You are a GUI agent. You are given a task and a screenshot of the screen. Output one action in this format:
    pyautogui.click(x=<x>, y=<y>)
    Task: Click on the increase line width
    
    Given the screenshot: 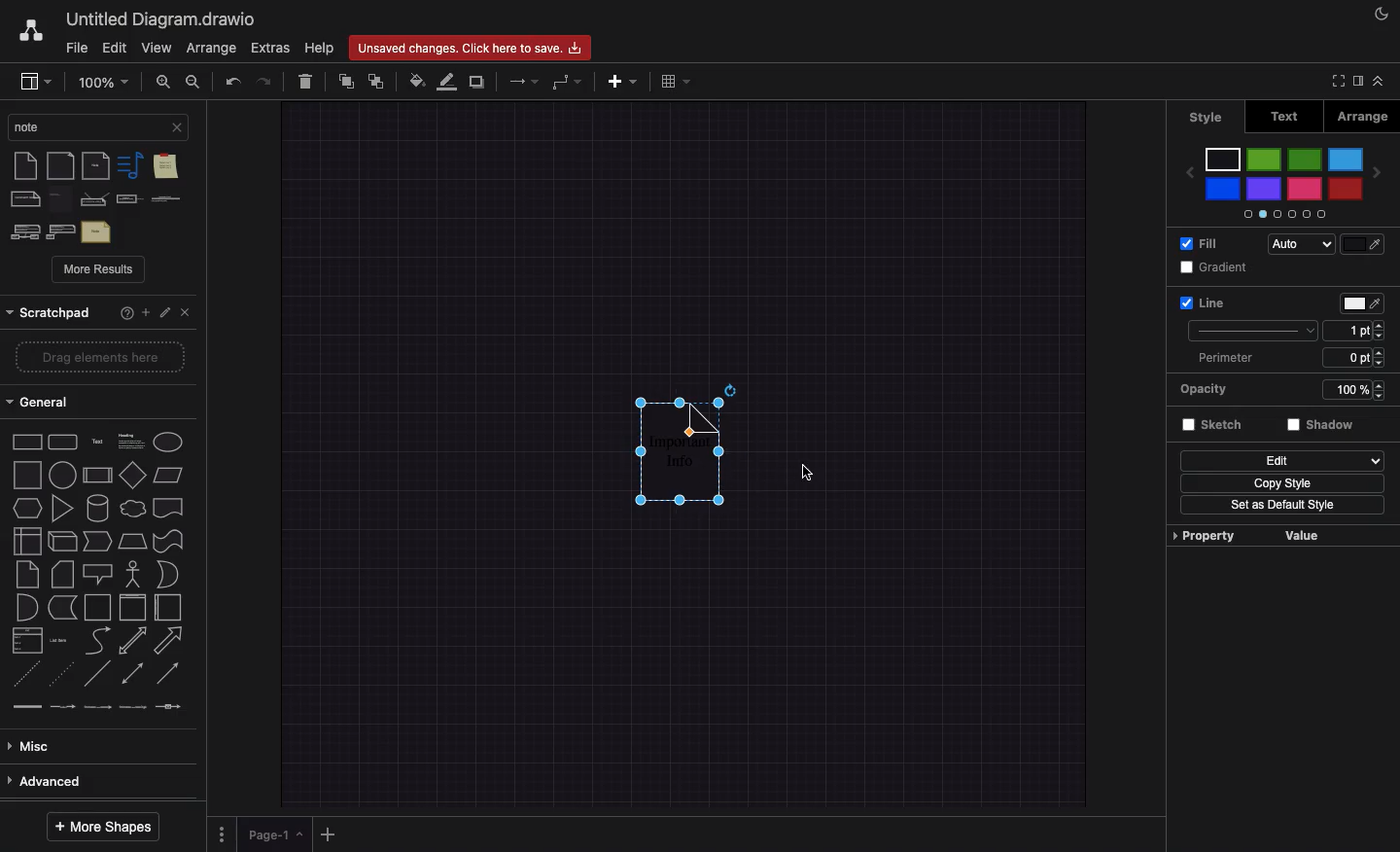 What is the action you would take?
    pyautogui.click(x=1381, y=323)
    